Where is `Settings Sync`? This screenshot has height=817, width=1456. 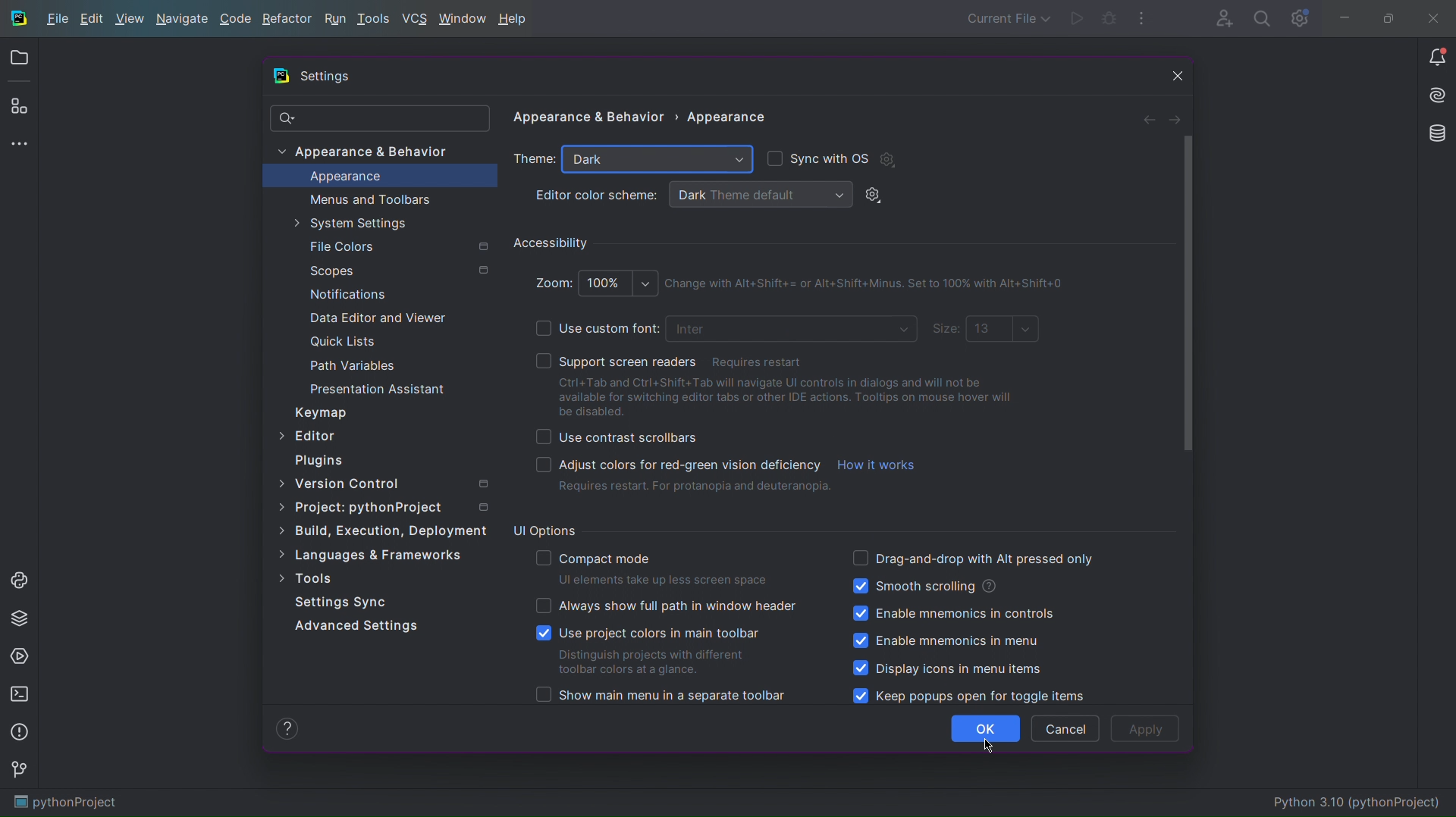
Settings Sync is located at coordinates (340, 602).